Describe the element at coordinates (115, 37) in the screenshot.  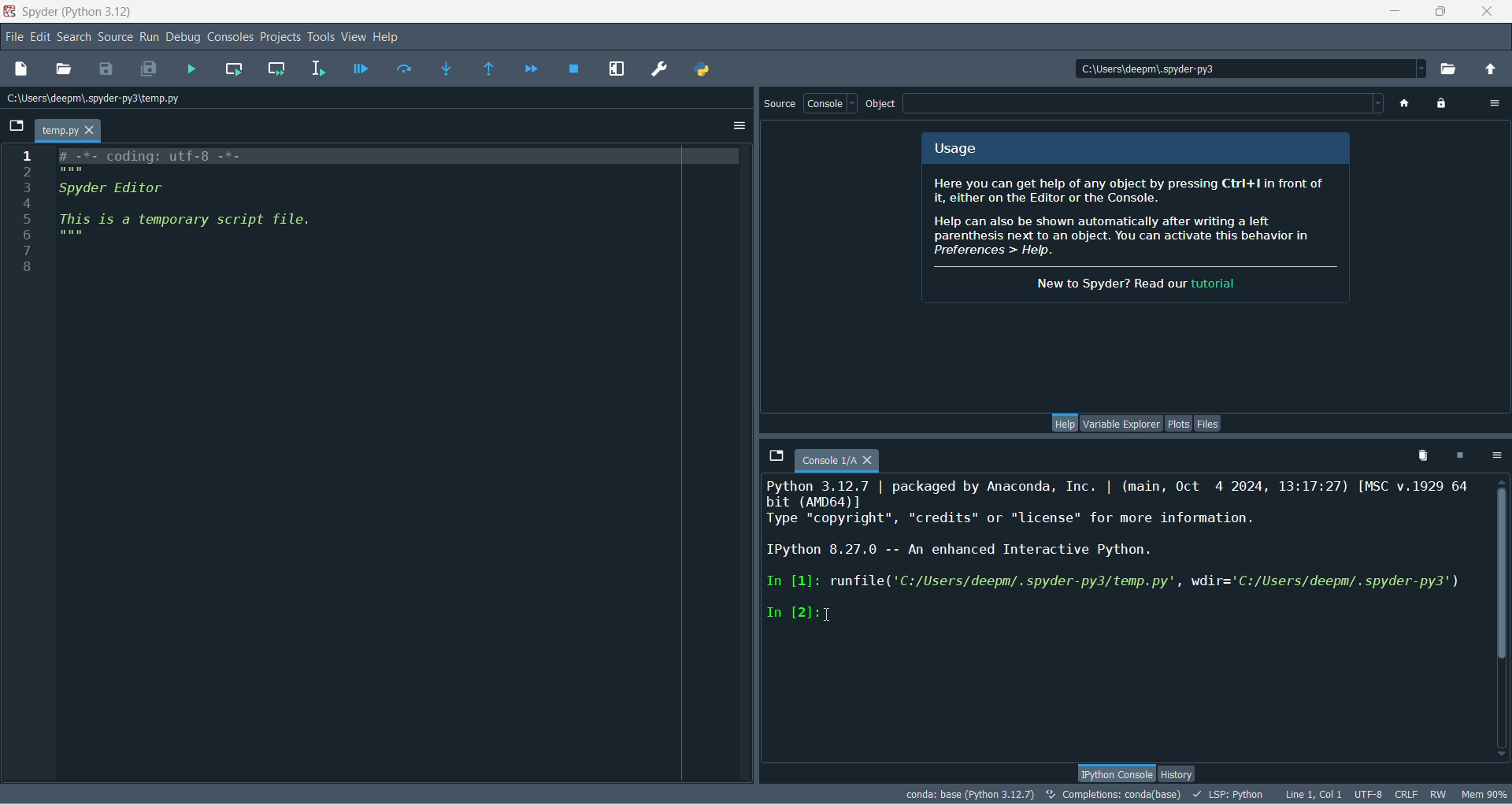
I see `source` at that location.